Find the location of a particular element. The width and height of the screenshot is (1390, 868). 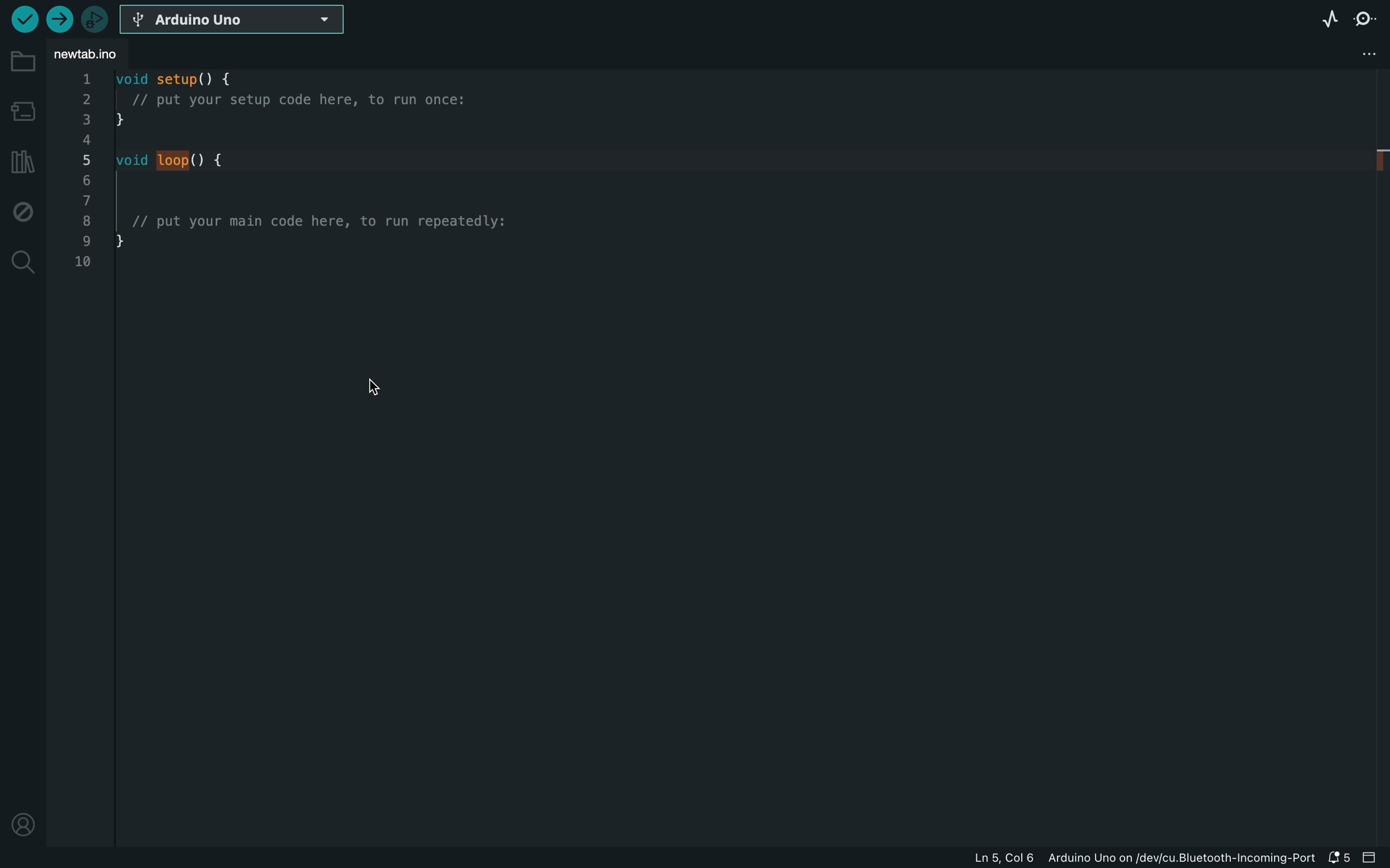

notification is located at coordinates (1341, 858).